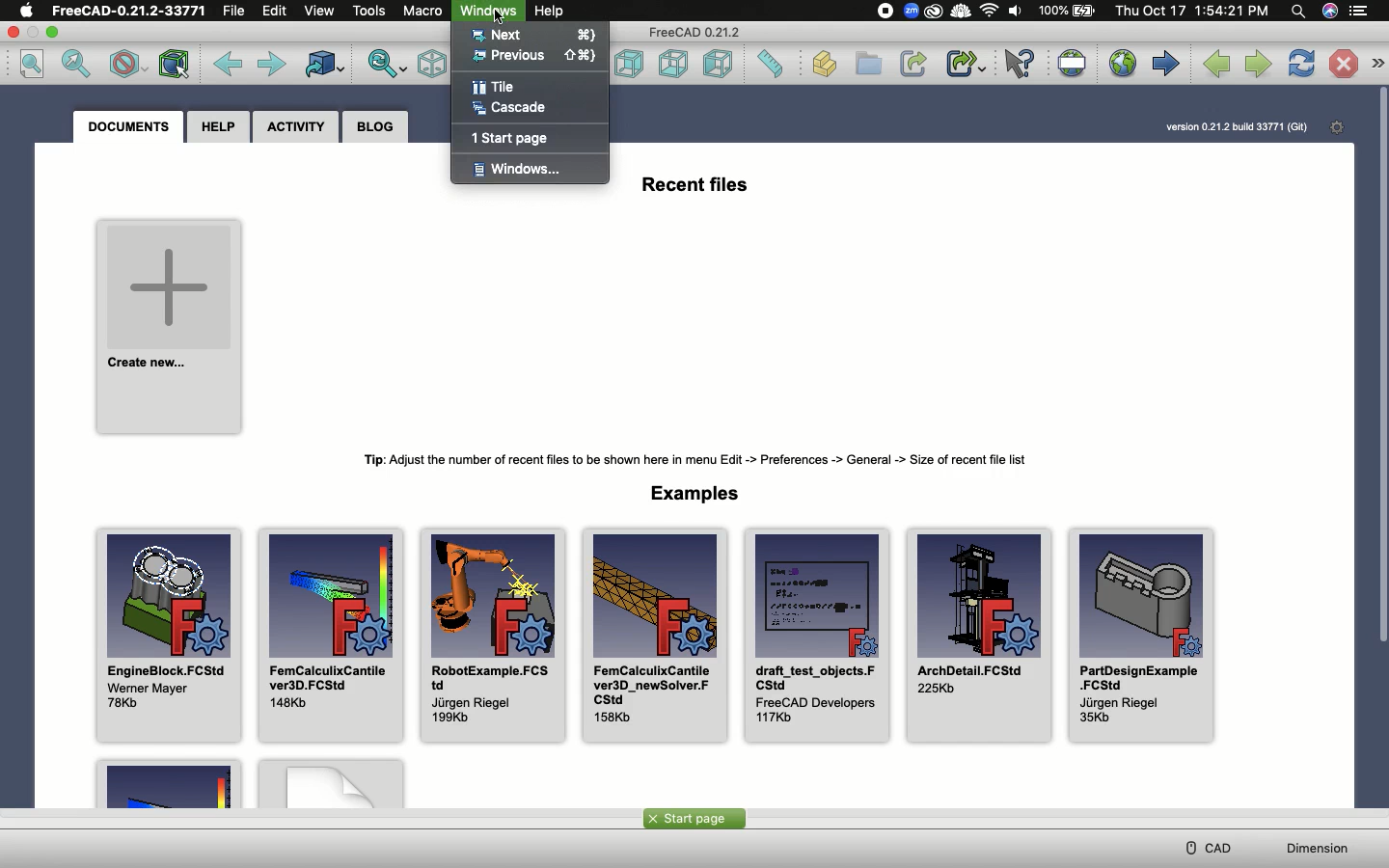 The image size is (1389, 868). I want to click on Rear, so click(630, 64).